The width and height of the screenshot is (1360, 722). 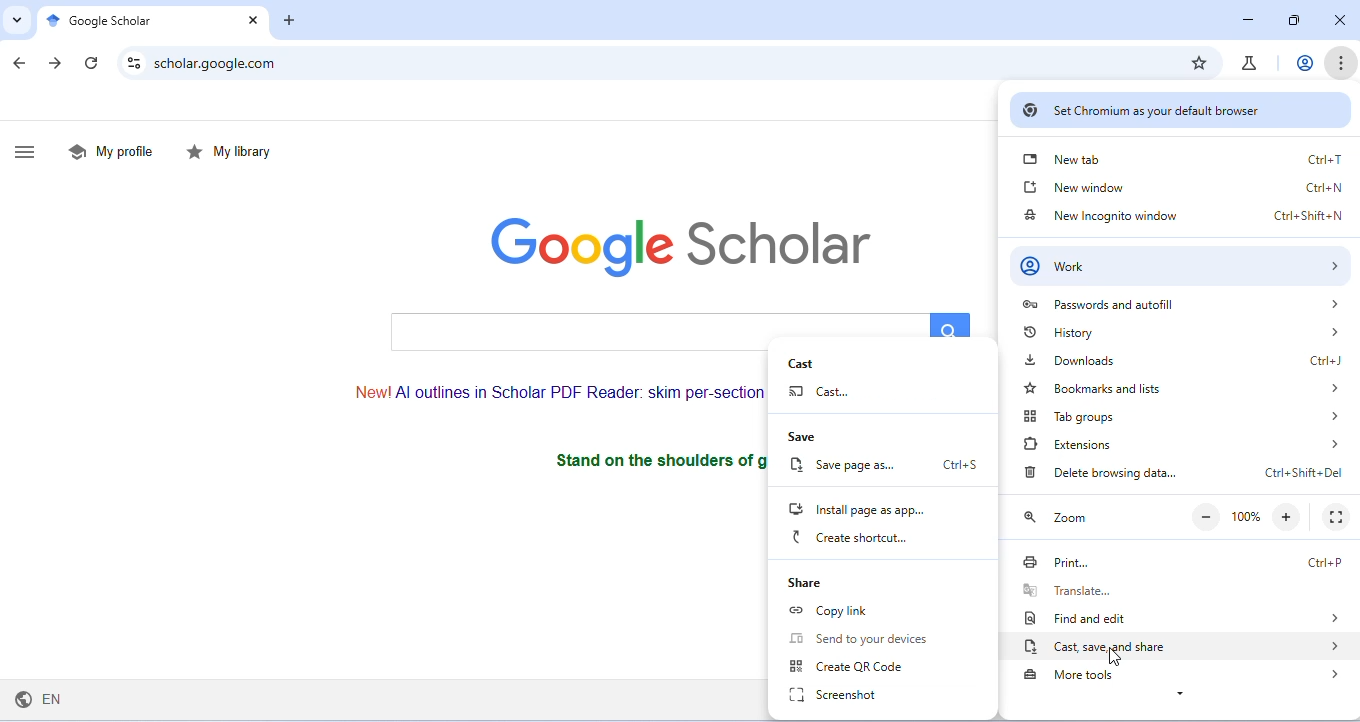 I want to click on search tabs, so click(x=15, y=20).